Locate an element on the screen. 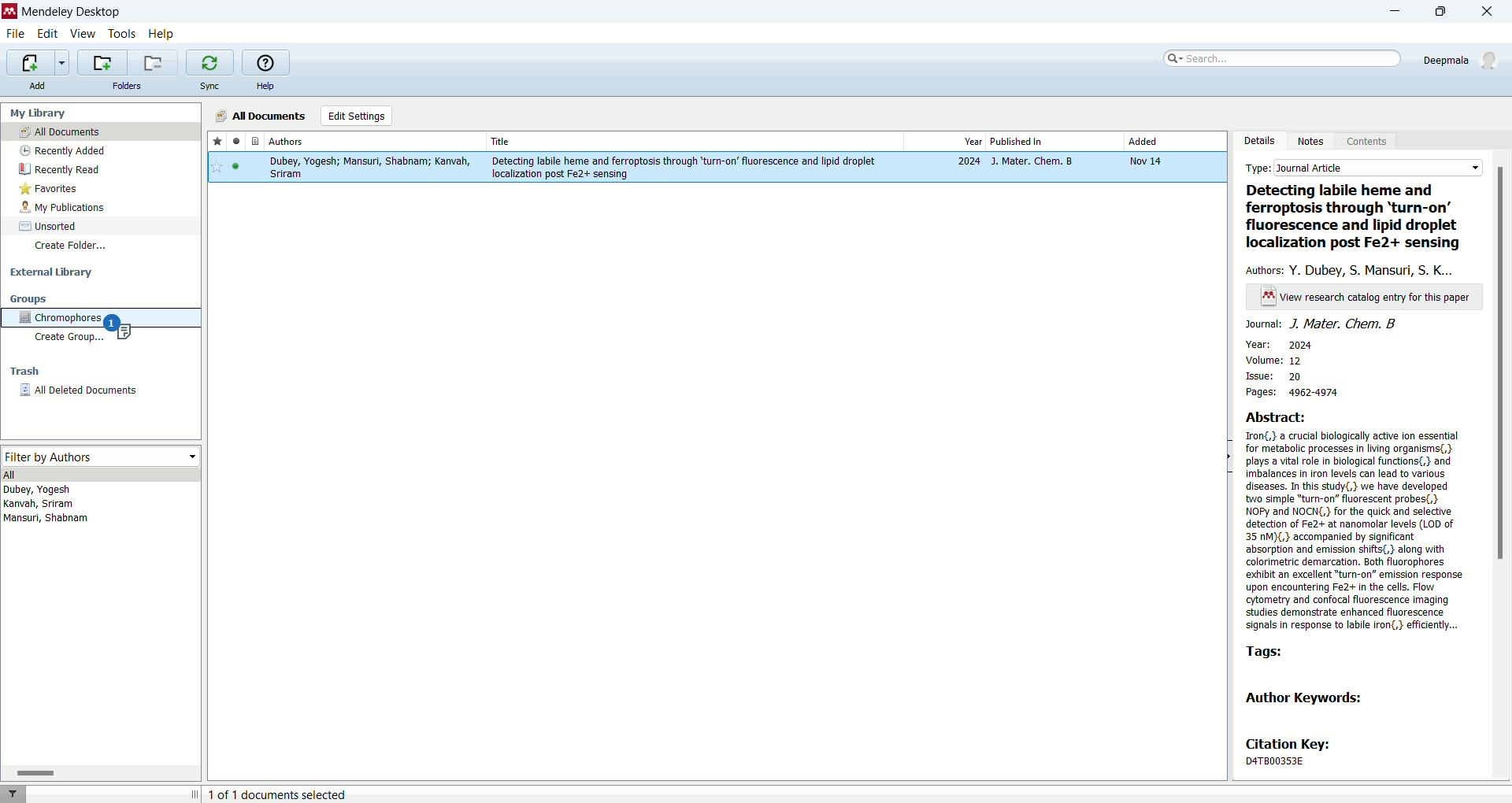 The image size is (1512, 803). all documents is located at coordinates (101, 132).